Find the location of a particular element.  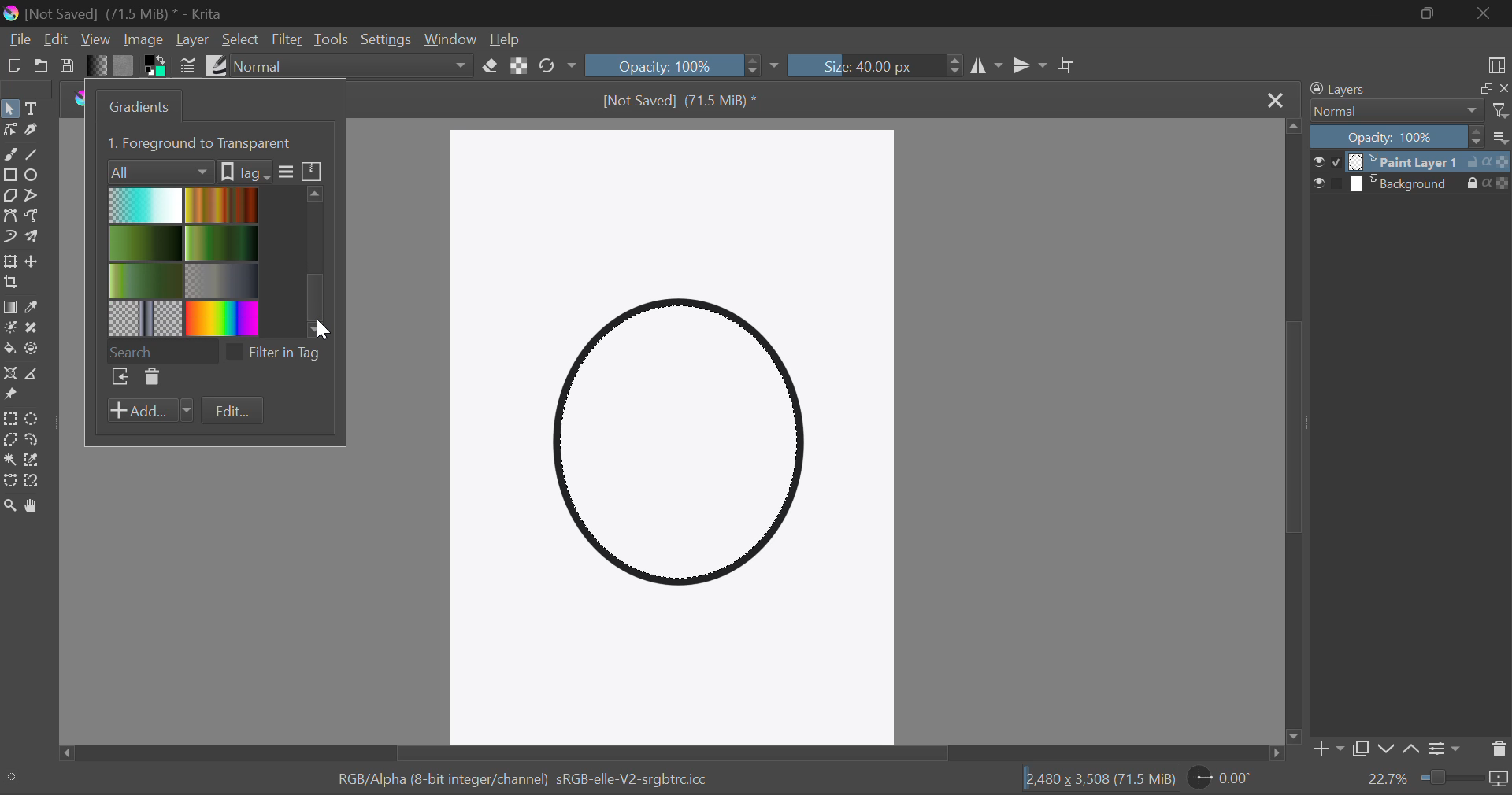

Rectangle Selection is located at coordinates (13, 417).